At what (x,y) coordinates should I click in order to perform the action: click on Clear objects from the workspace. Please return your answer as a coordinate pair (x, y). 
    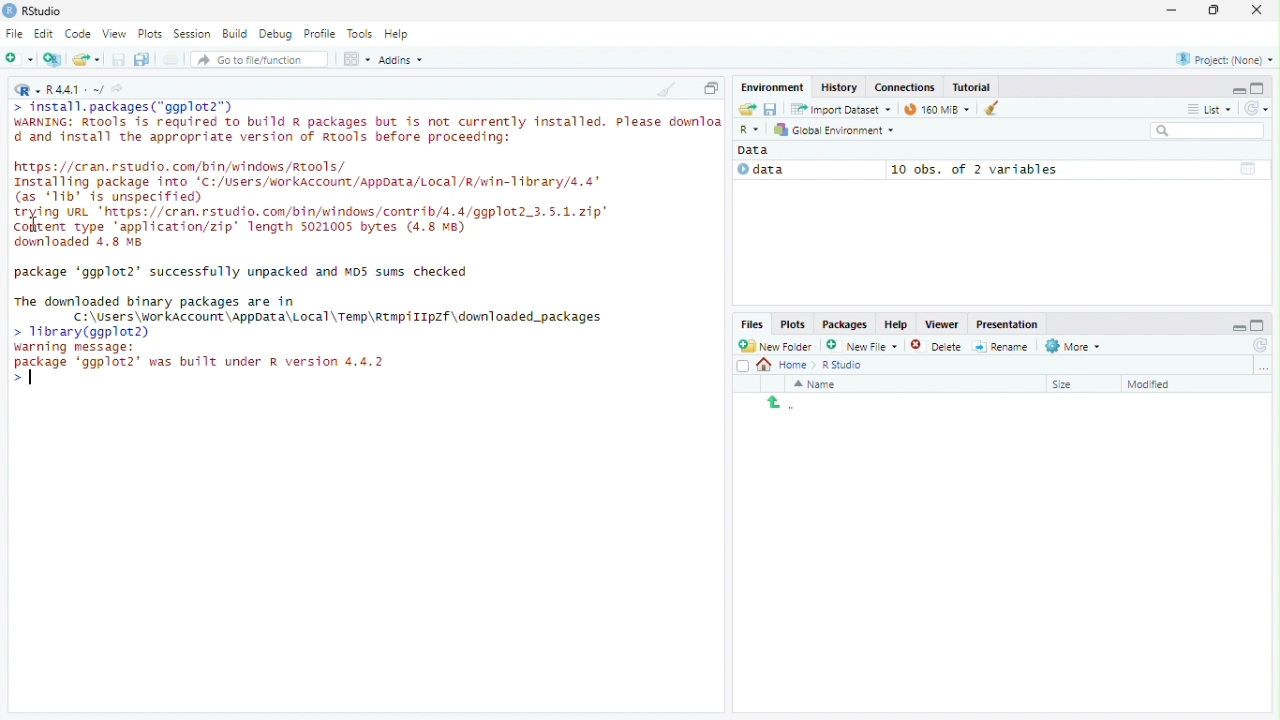
    Looking at the image, I should click on (985, 108).